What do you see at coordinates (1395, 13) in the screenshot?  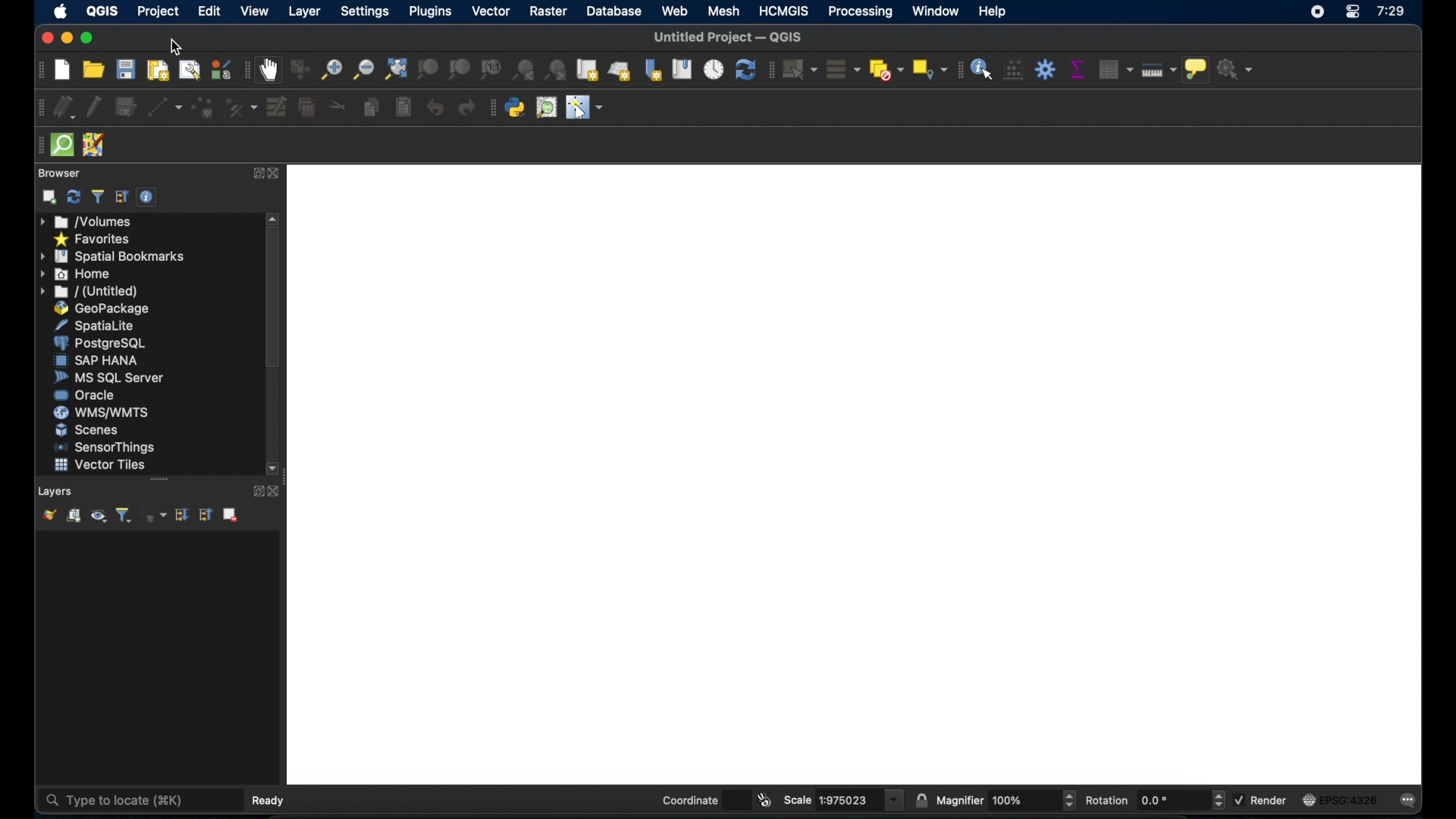 I see `7:29` at bounding box center [1395, 13].